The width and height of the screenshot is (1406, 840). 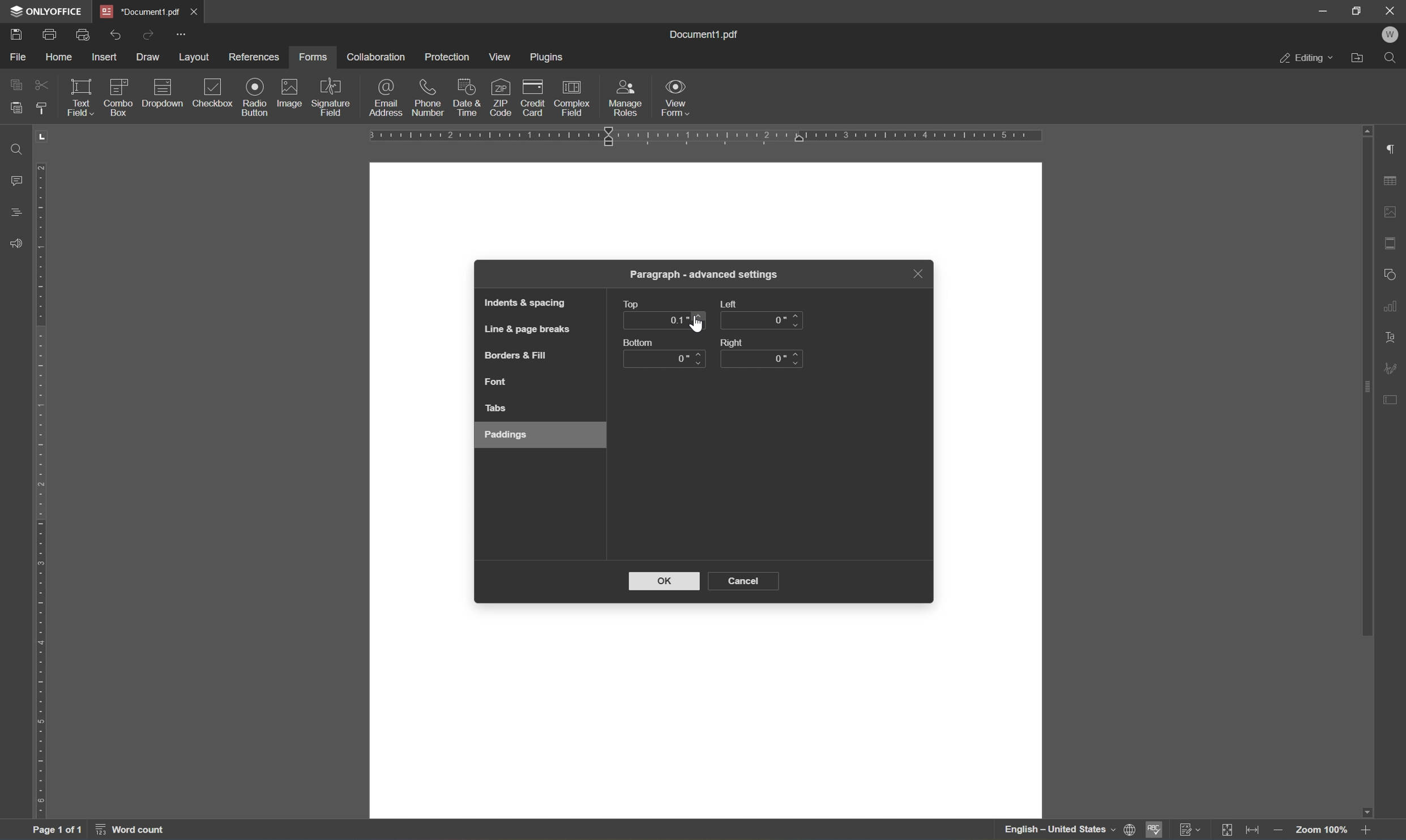 What do you see at coordinates (61, 57) in the screenshot?
I see `home` at bounding box center [61, 57].